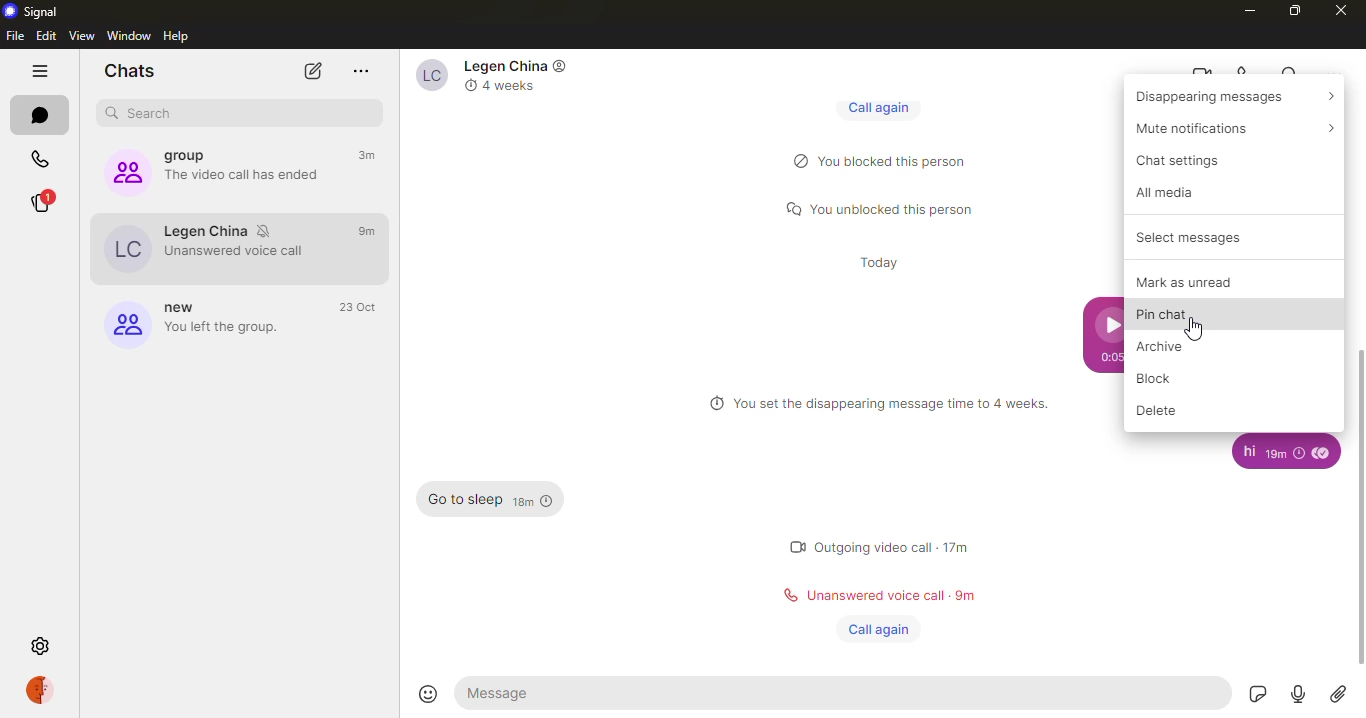 The image size is (1366, 718). Describe the element at coordinates (854, 596) in the screenshot. I see `status message` at that location.